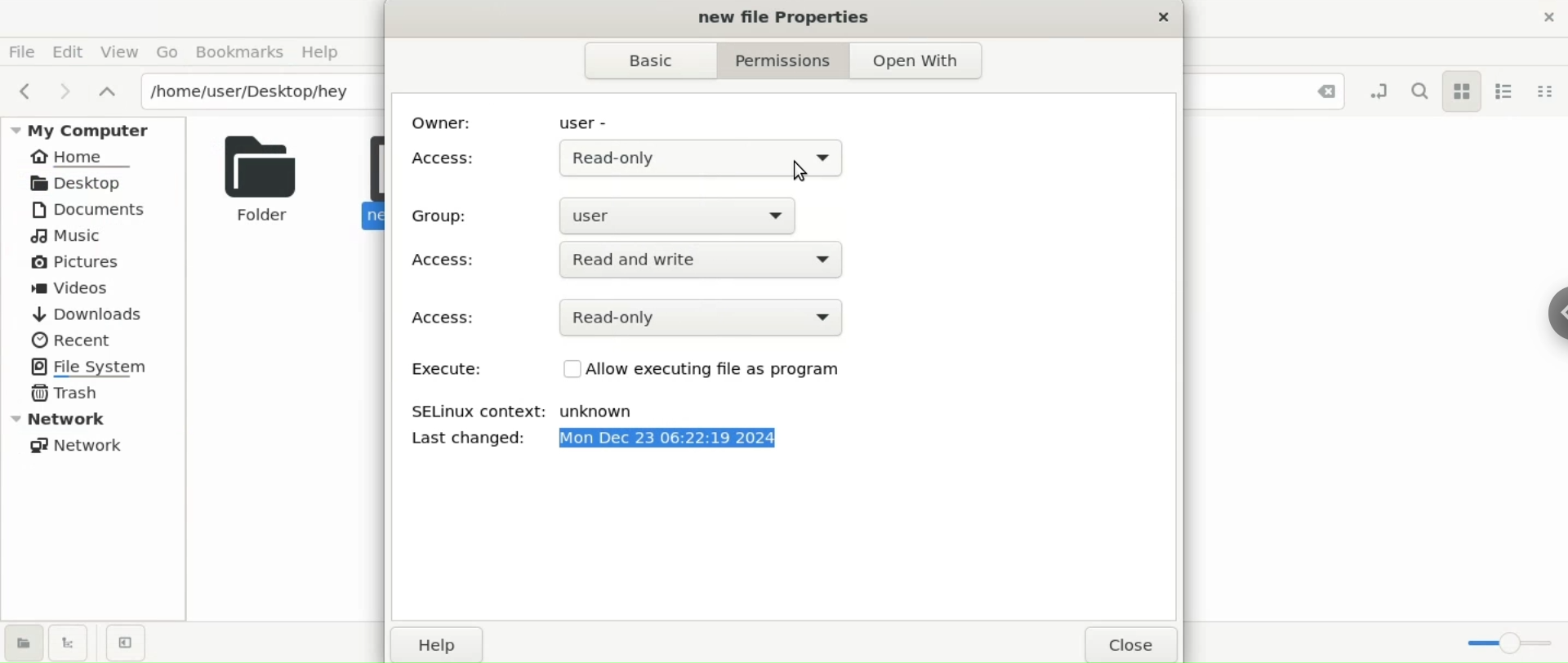 Image resolution: width=1568 pixels, height=663 pixels. I want to click on user, so click(590, 122).